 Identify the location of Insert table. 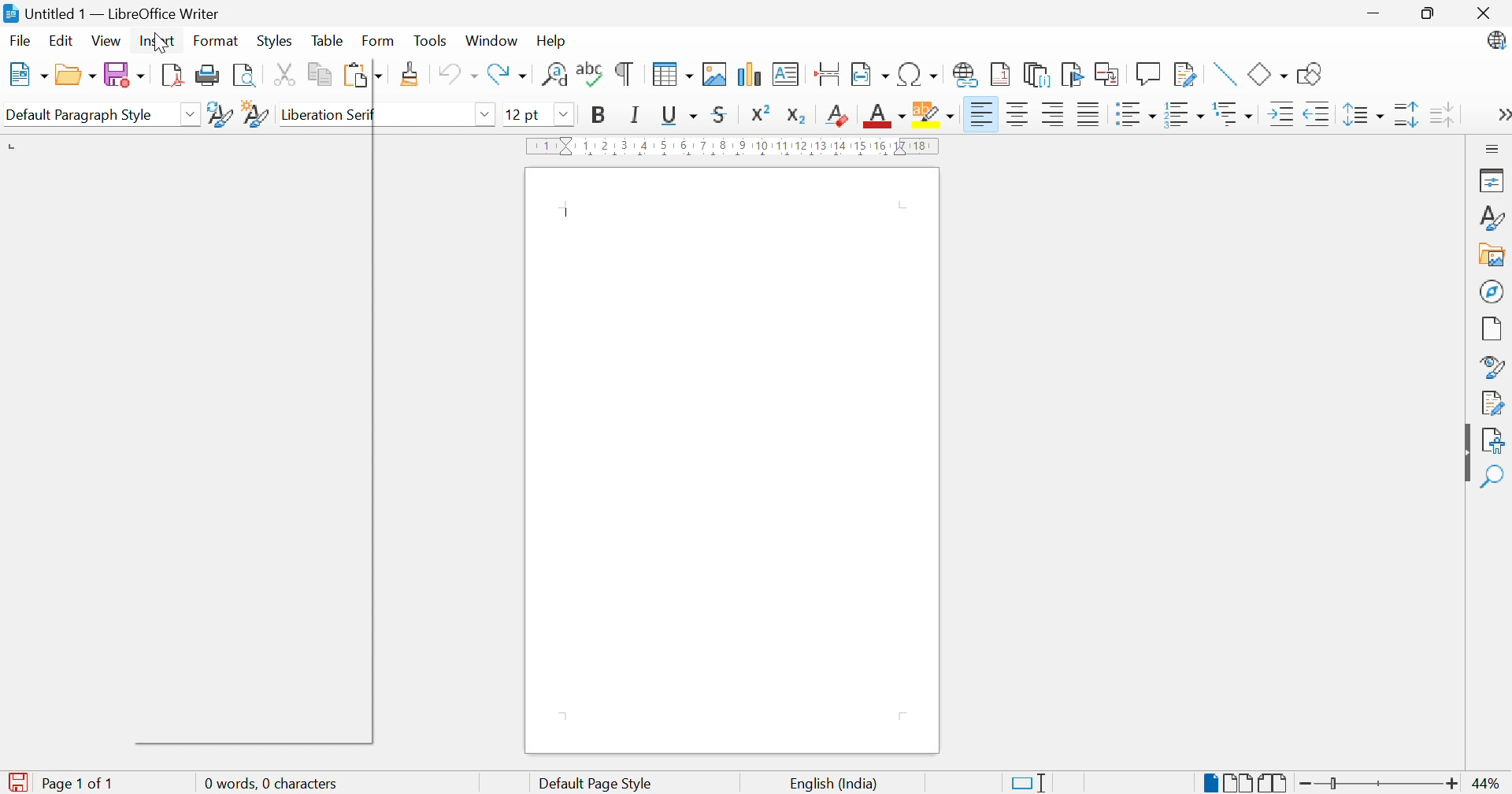
(669, 74).